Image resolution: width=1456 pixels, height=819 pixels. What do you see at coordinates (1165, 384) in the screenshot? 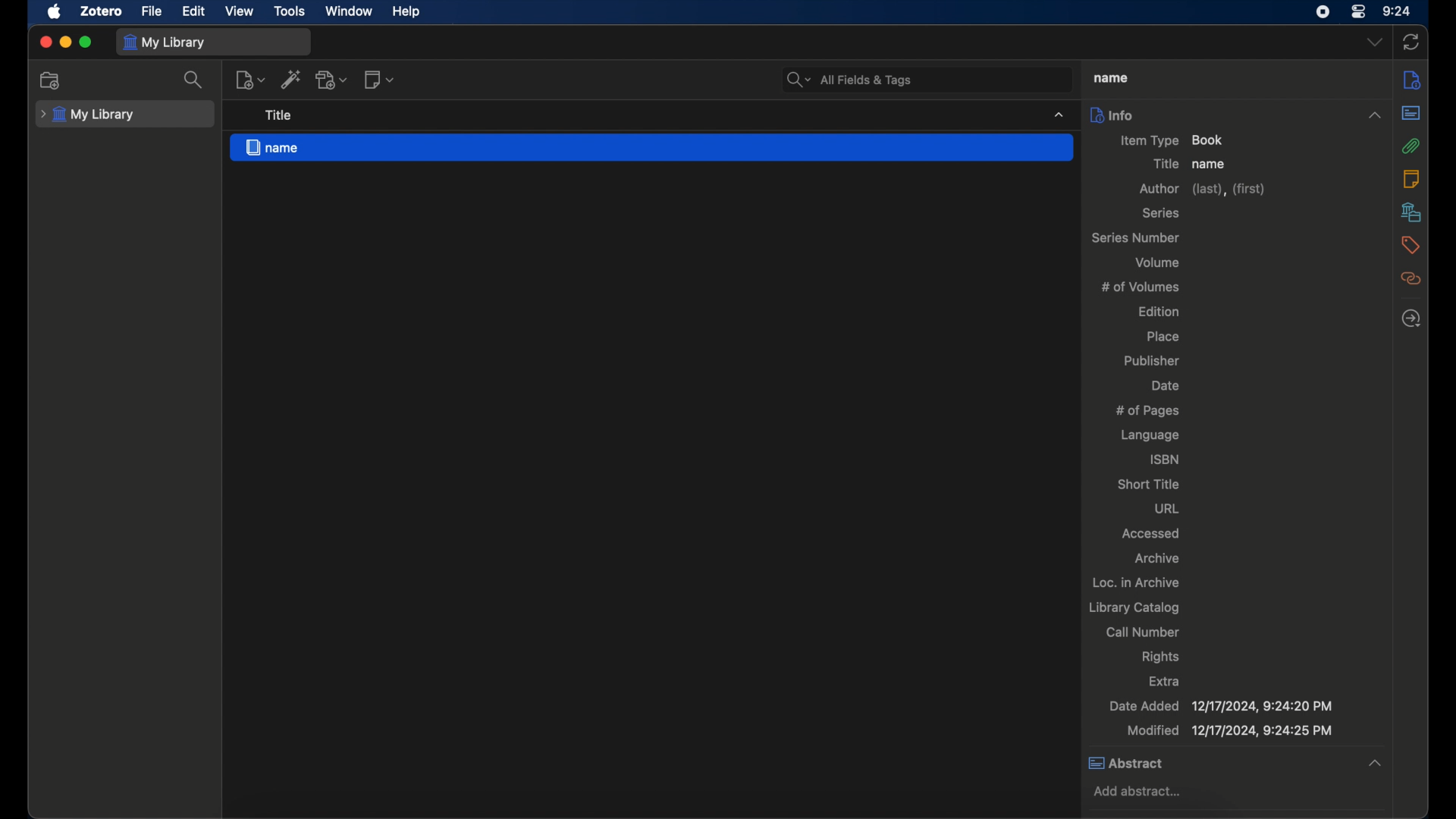
I see `date` at bounding box center [1165, 384].